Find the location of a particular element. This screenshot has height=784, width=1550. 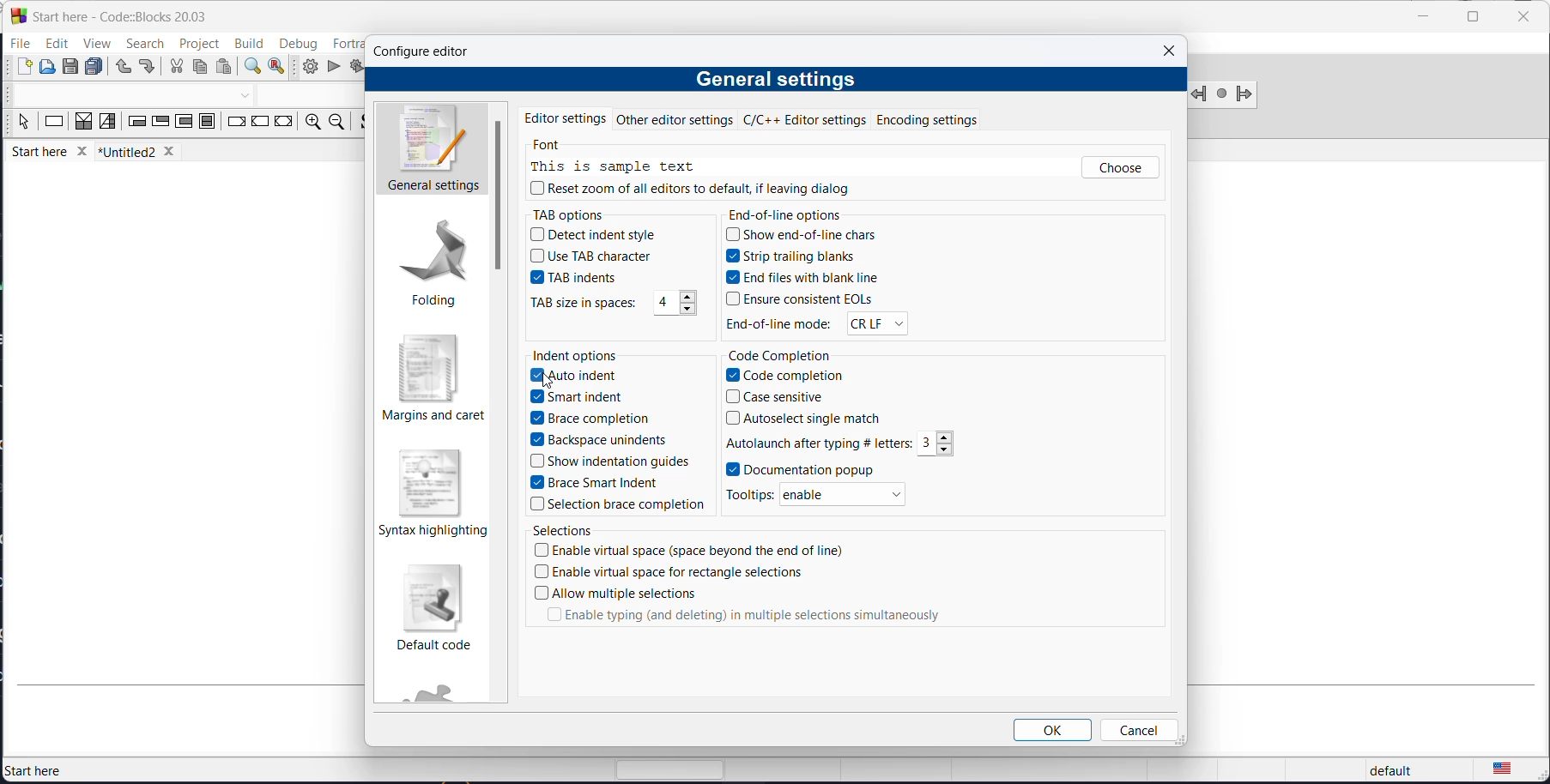

detect indent style checkbox is located at coordinates (597, 236).